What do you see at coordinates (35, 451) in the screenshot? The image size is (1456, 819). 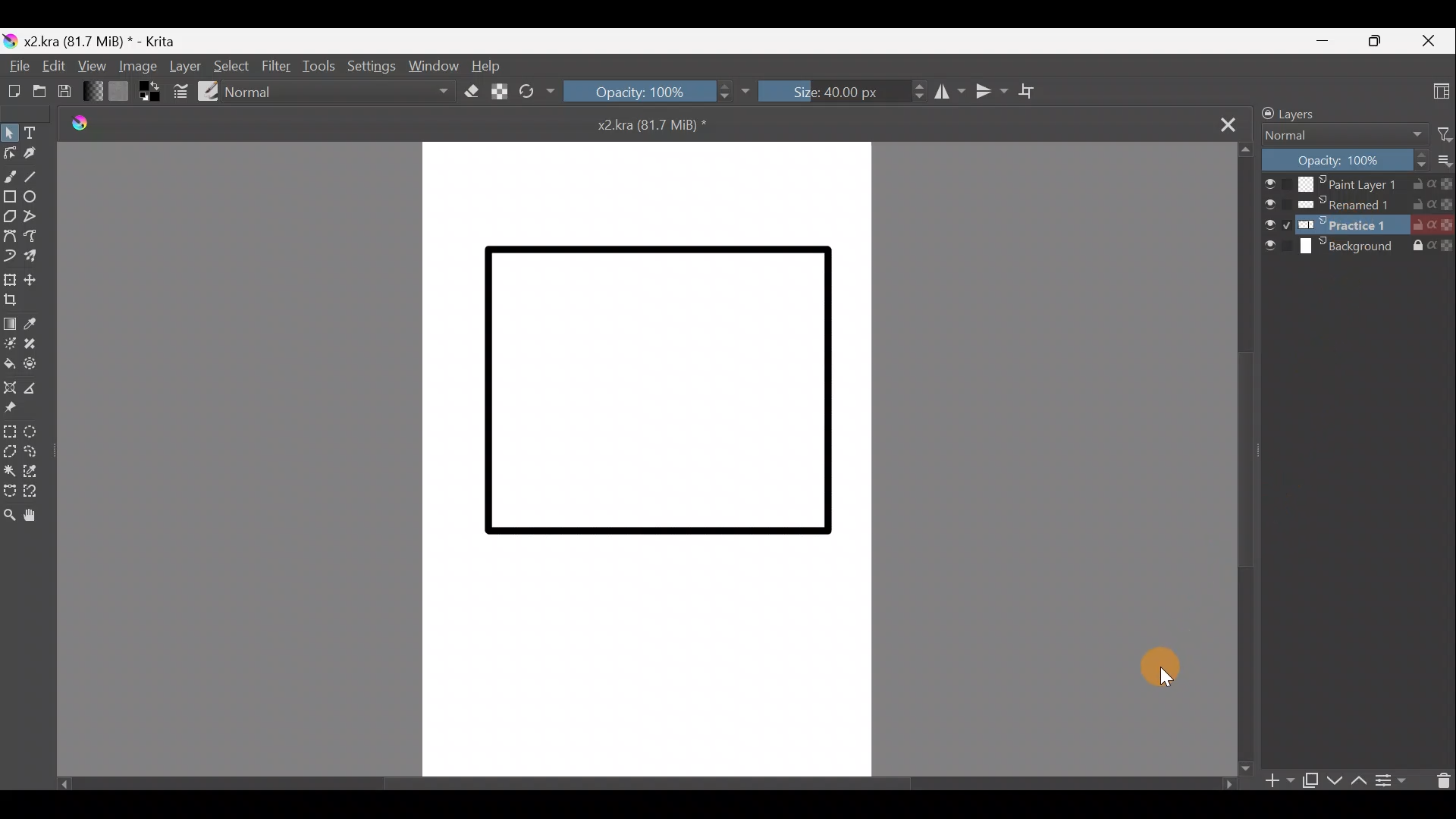 I see `Freehand selection tool` at bounding box center [35, 451].